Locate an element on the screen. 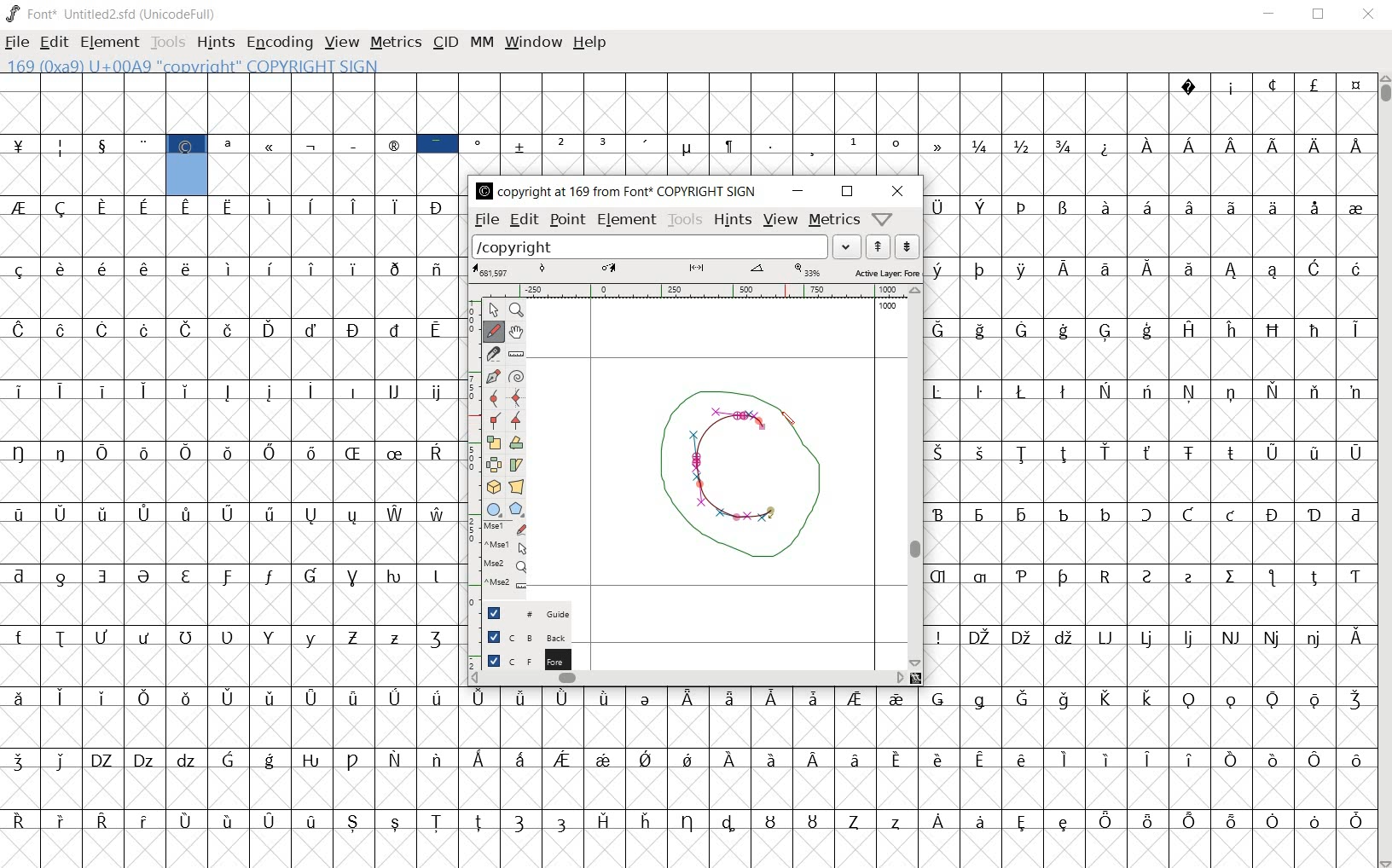  close is located at coordinates (902, 190).